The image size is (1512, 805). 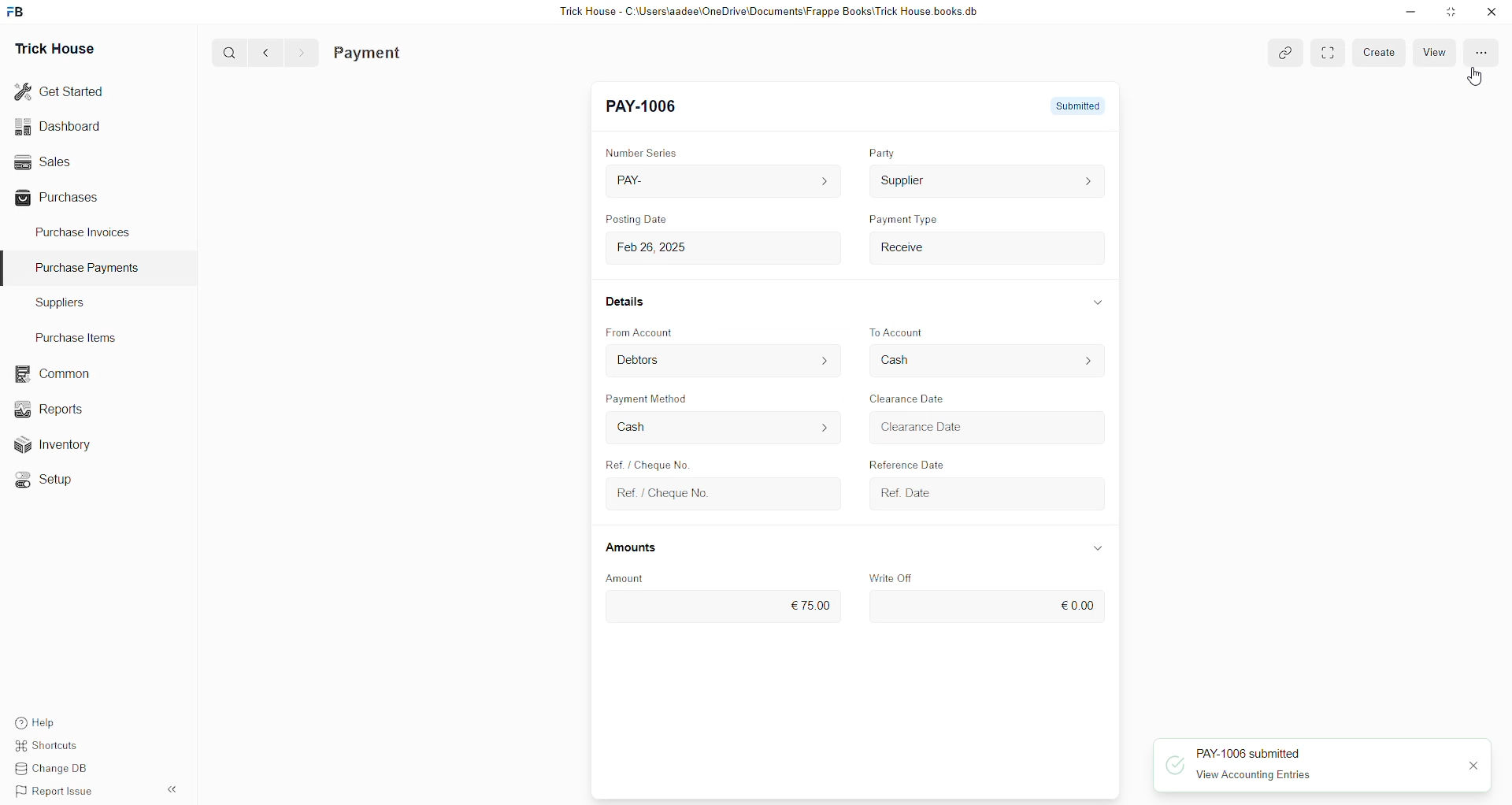 What do you see at coordinates (267, 52) in the screenshot?
I see `back` at bounding box center [267, 52].